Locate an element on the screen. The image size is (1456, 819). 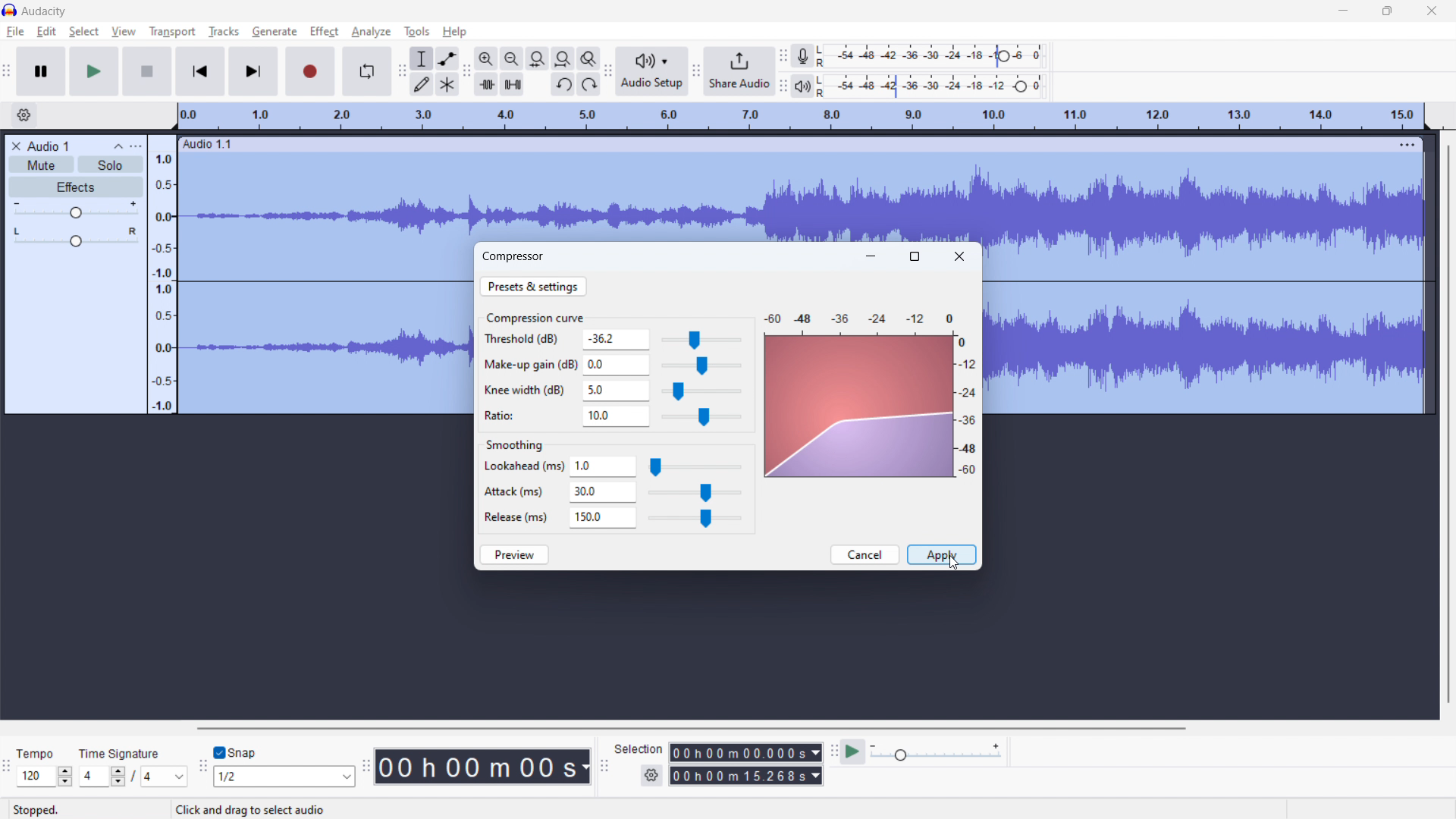
120 (select tempo) is located at coordinates (45, 777).